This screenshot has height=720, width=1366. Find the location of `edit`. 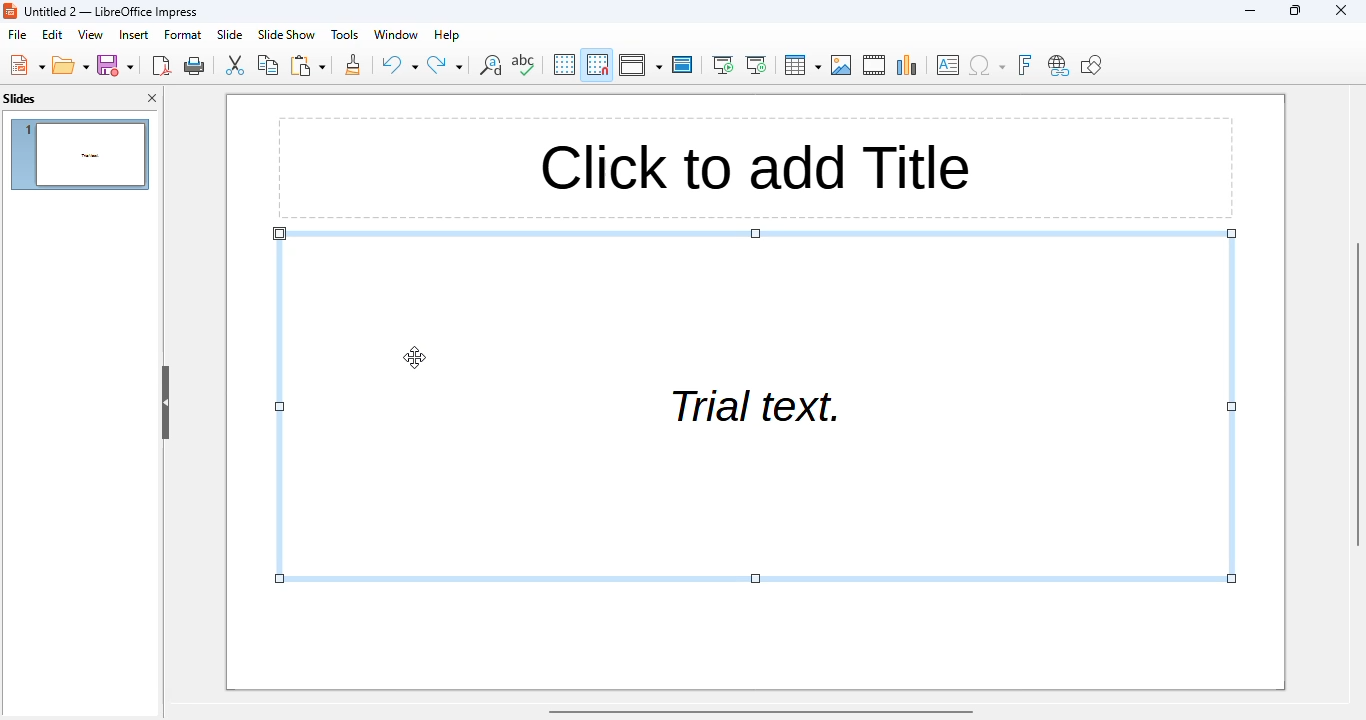

edit is located at coordinates (53, 34).